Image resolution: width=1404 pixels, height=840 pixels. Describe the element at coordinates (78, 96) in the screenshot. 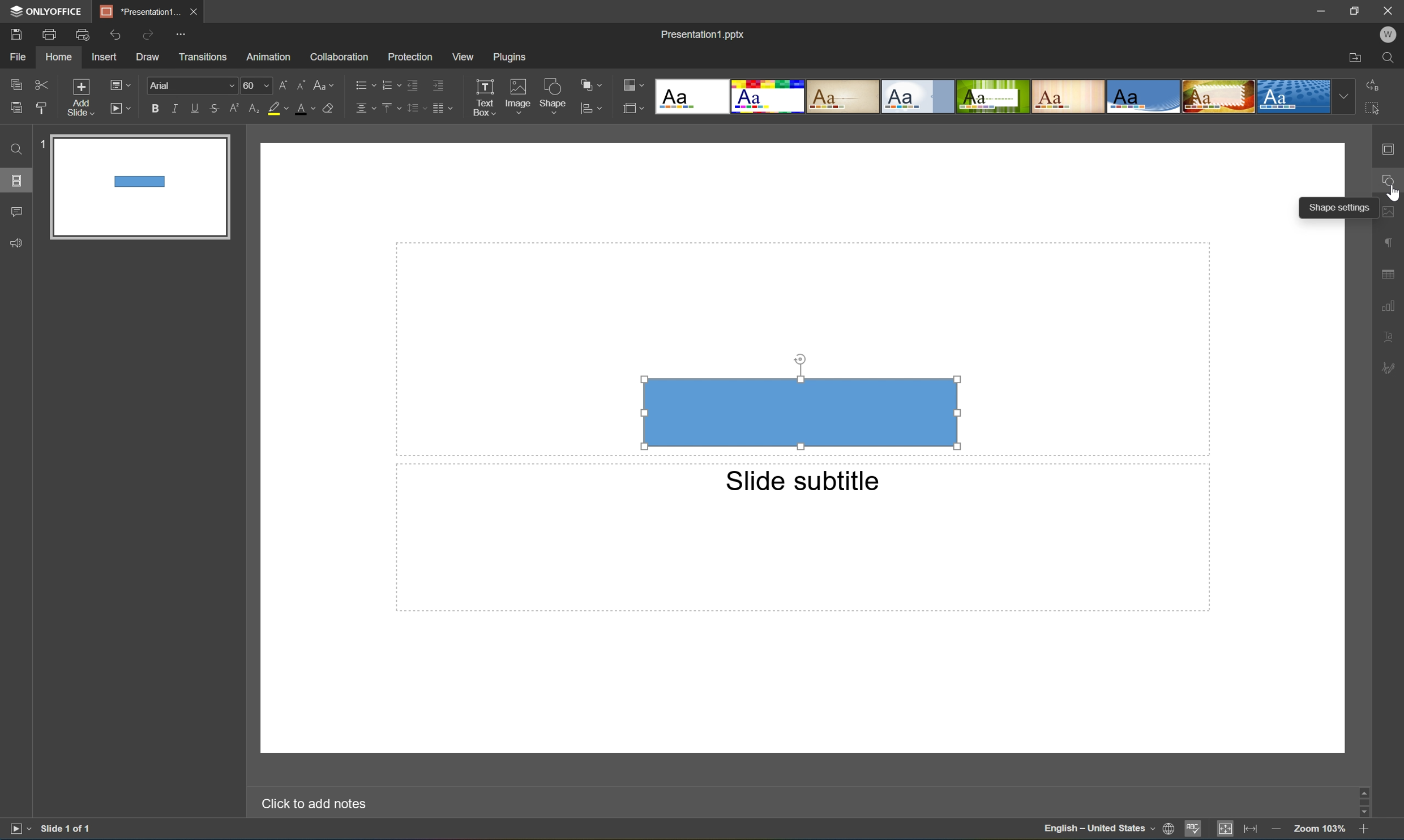

I see `Add slide` at that location.